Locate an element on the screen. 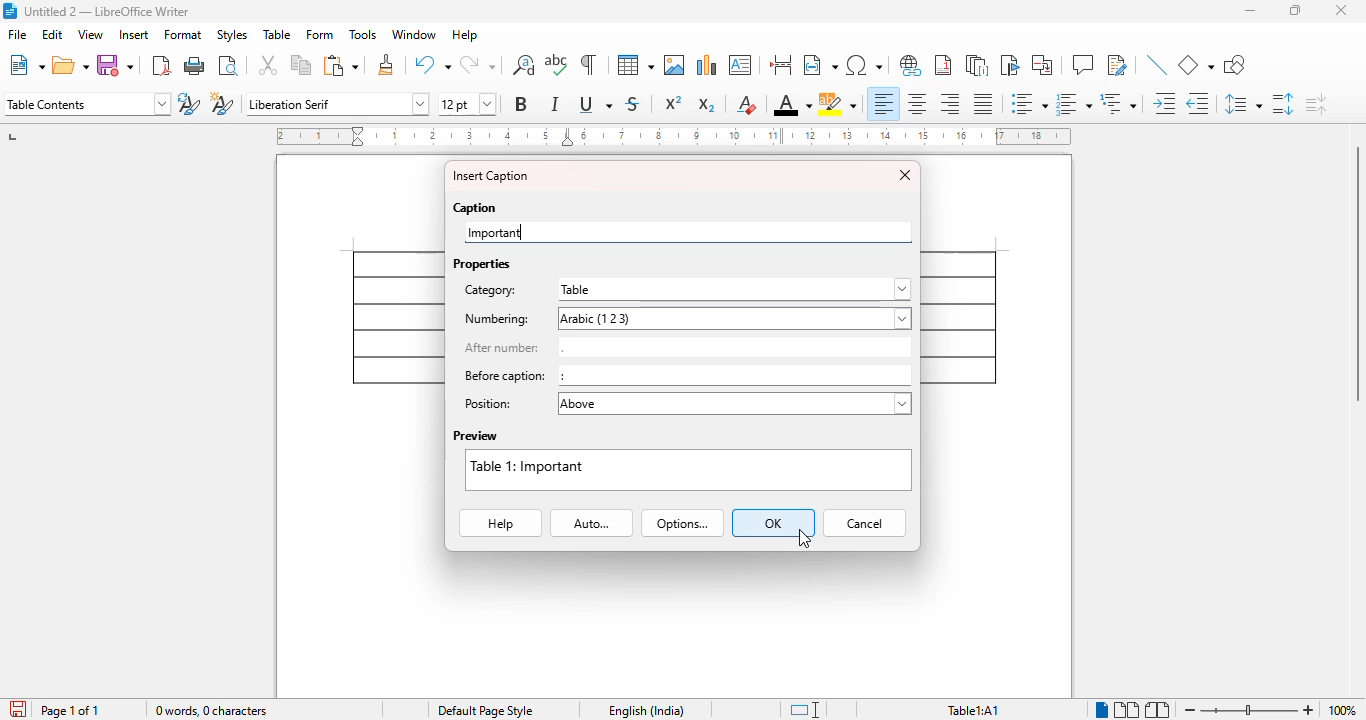 Image resolution: width=1366 pixels, height=720 pixels. font name is located at coordinates (337, 105).